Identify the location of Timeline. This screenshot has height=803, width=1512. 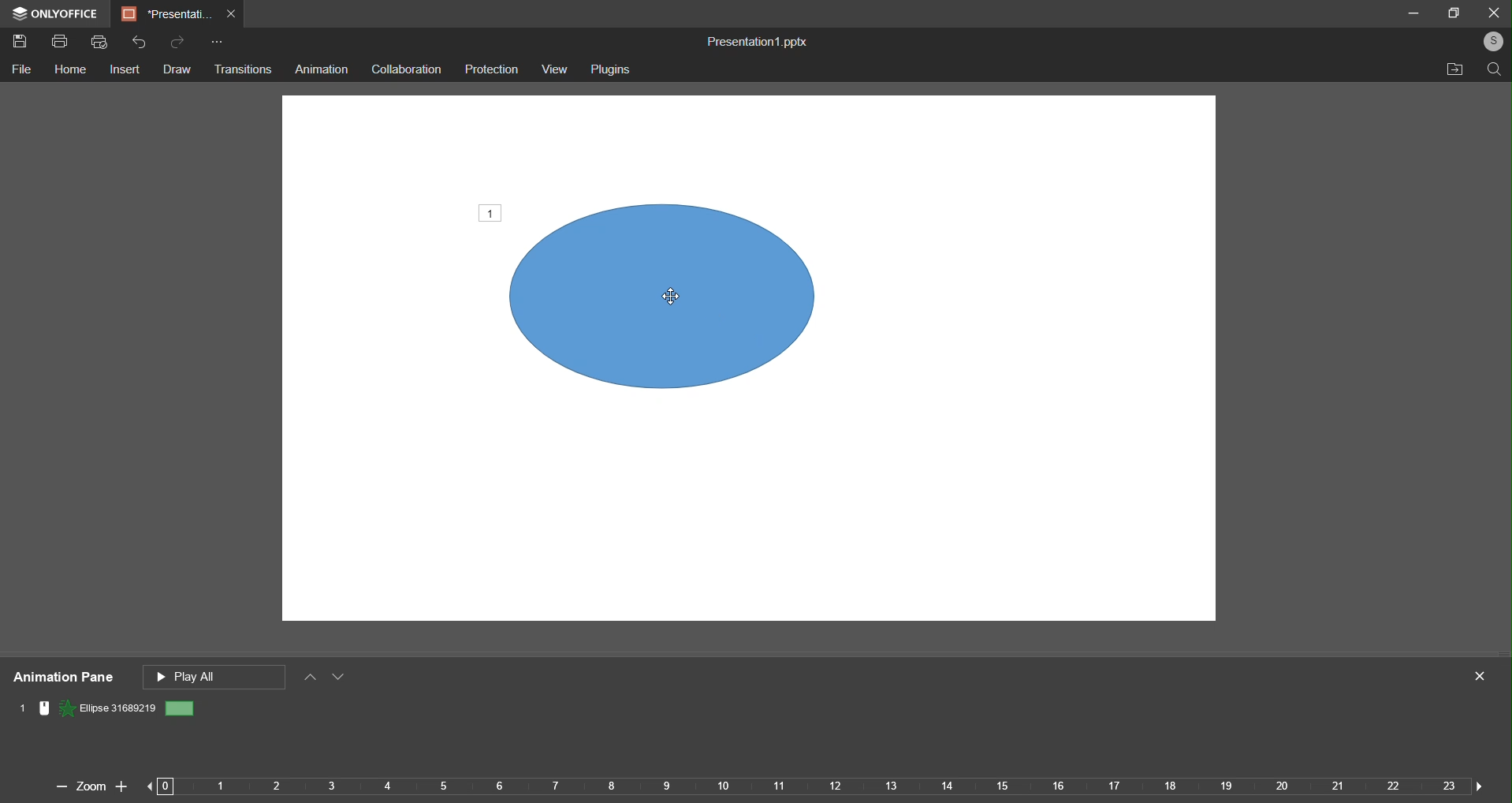
(818, 790).